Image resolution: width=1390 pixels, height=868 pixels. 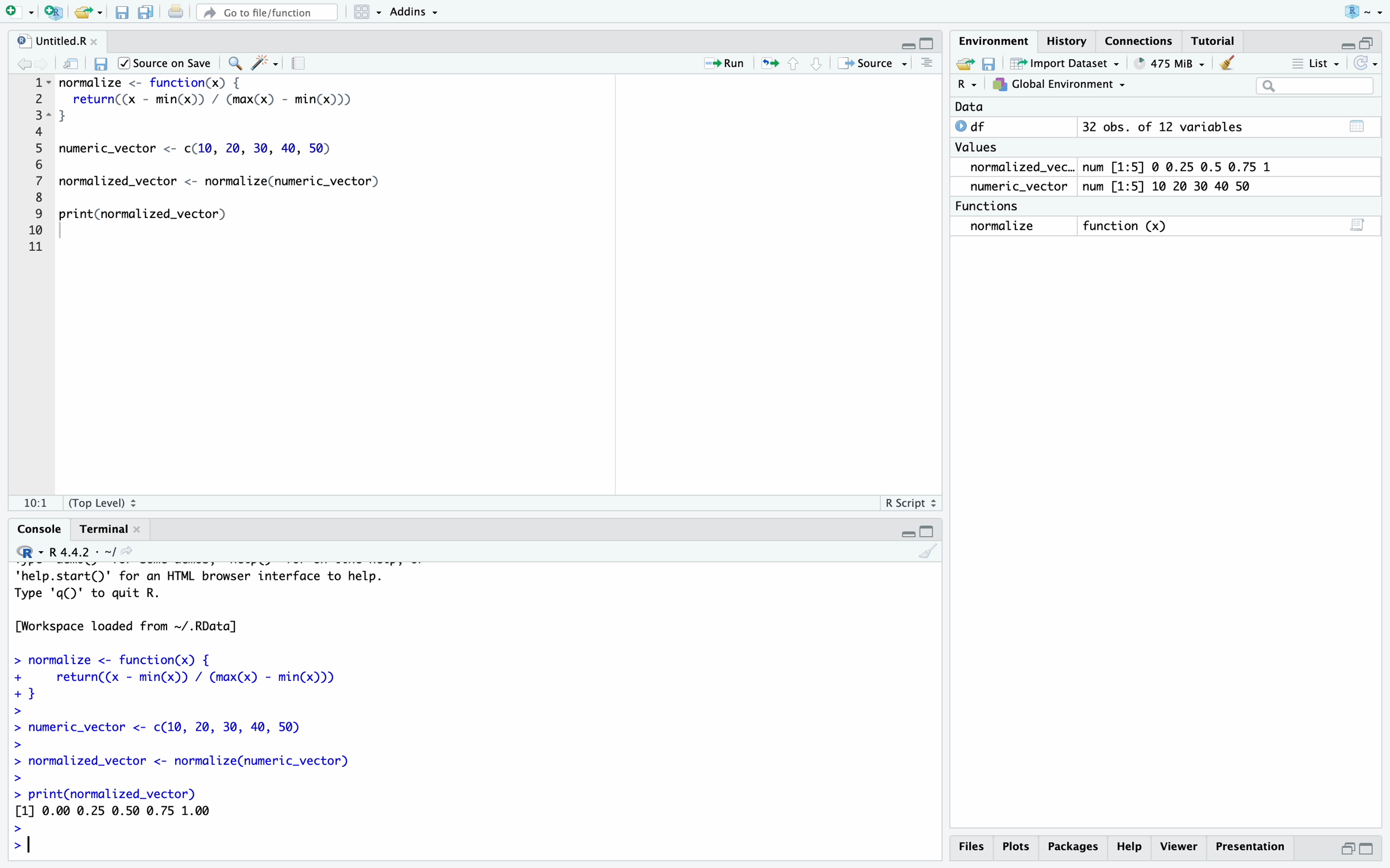 I want to click on Data/Table, so click(x=1355, y=124).